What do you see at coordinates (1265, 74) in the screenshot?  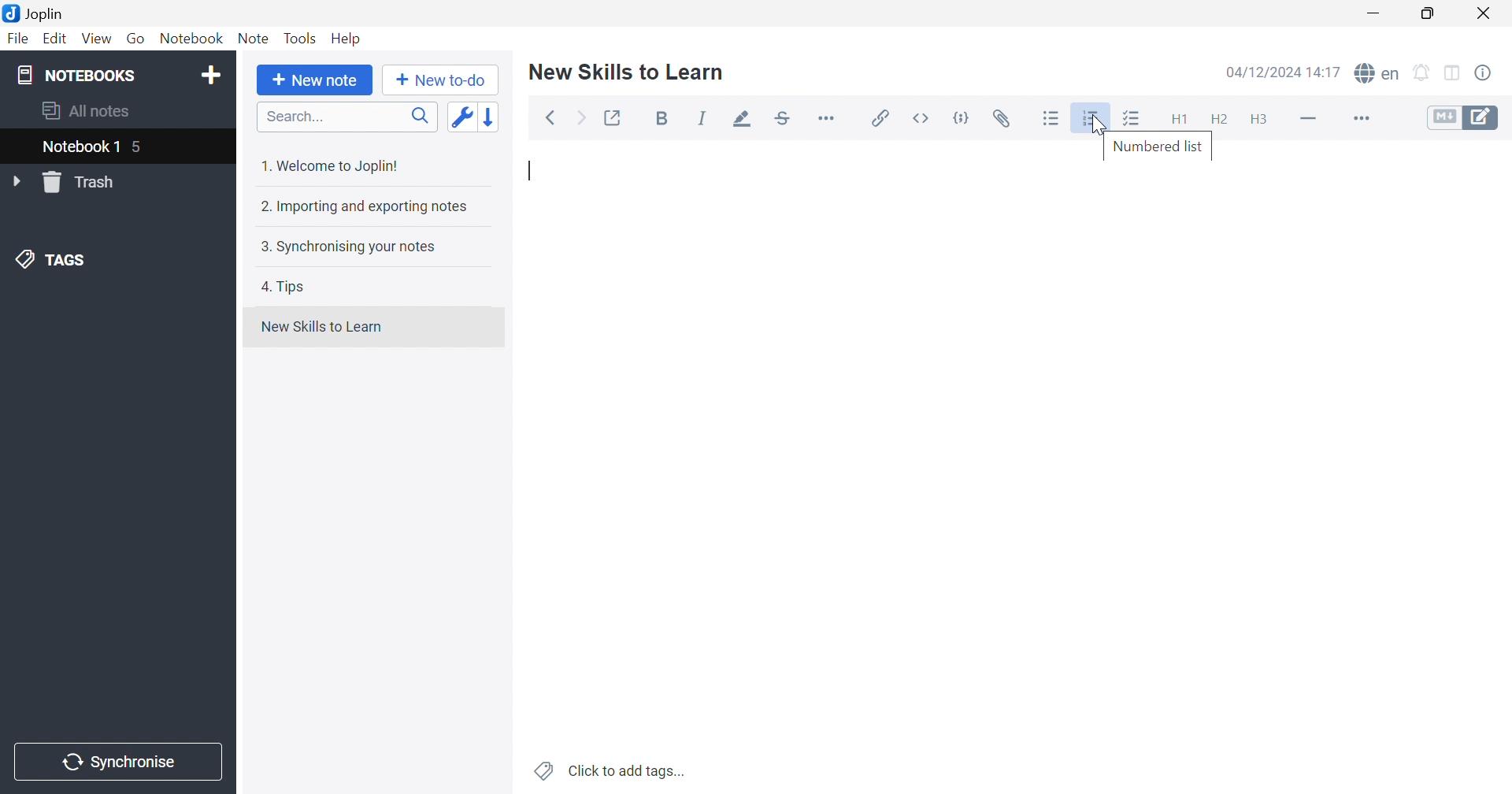 I see `04/12/2024` at bounding box center [1265, 74].